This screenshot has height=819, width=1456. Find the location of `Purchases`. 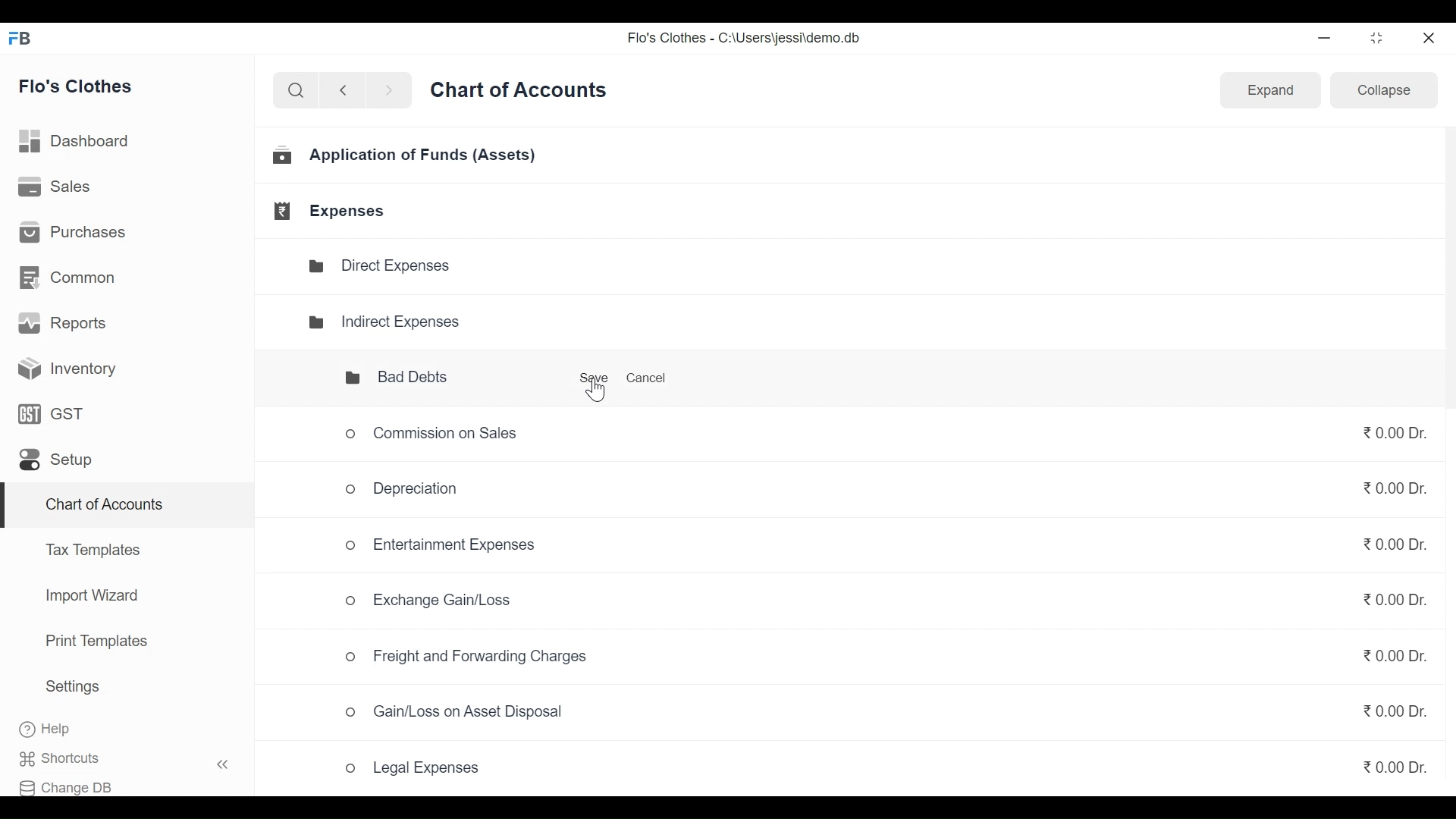

Purchases is located at coordinates (77, 234).